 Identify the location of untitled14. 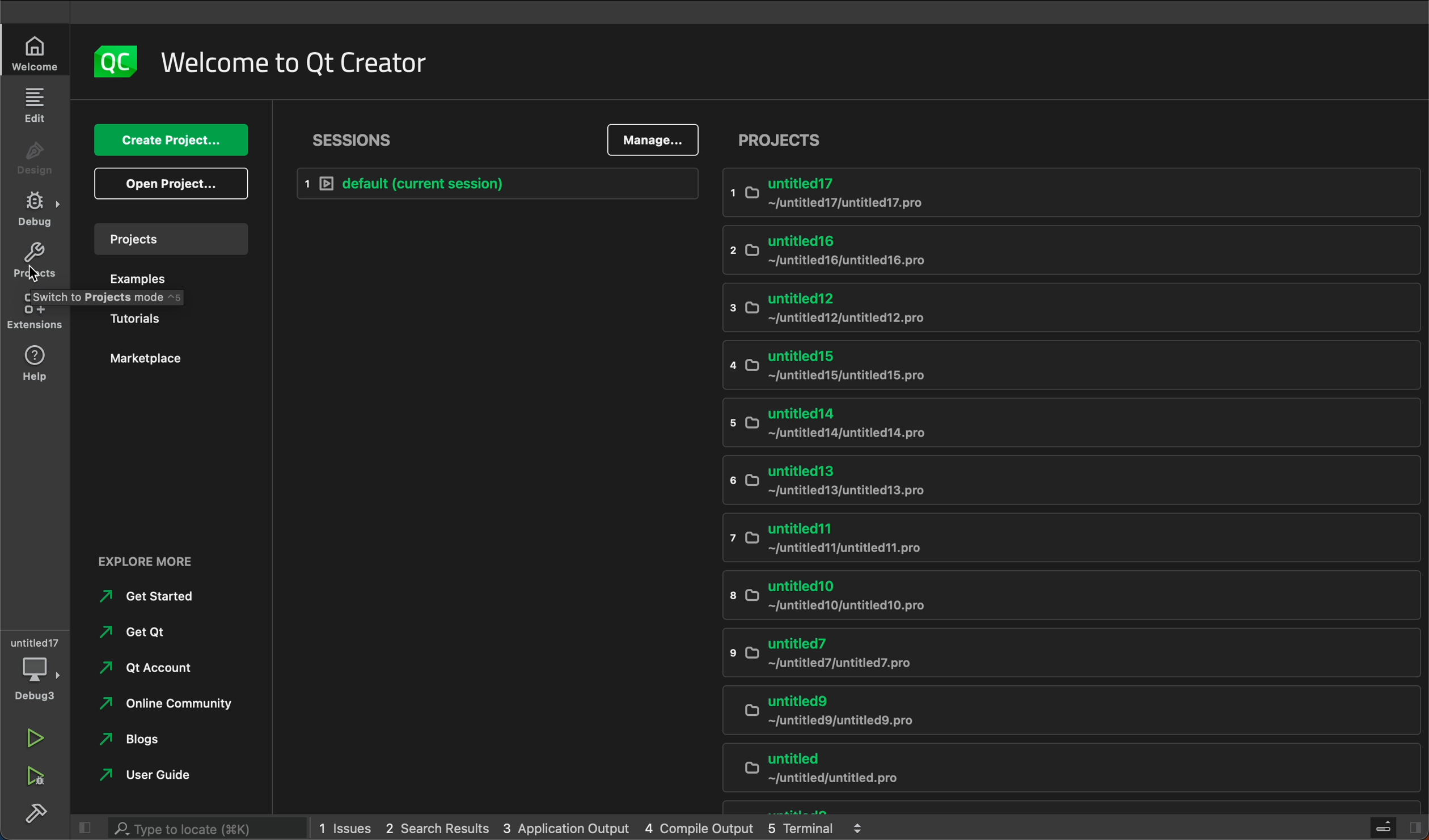
(1062, 422).